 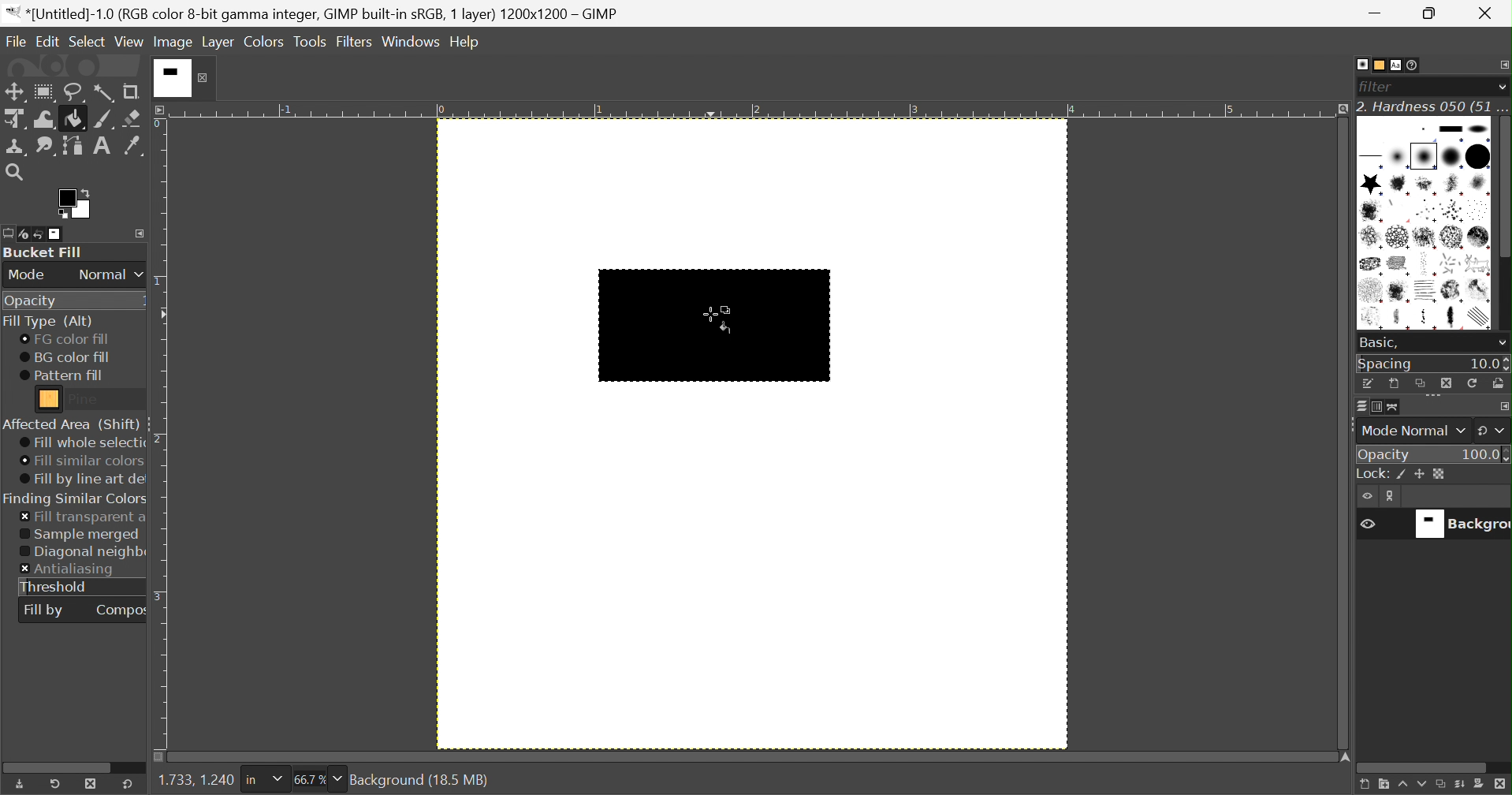 What do you see at coordinates (1439, 474) in the screenshot?
I see `Lock alpha channel` at bounding box center [1439, 474].